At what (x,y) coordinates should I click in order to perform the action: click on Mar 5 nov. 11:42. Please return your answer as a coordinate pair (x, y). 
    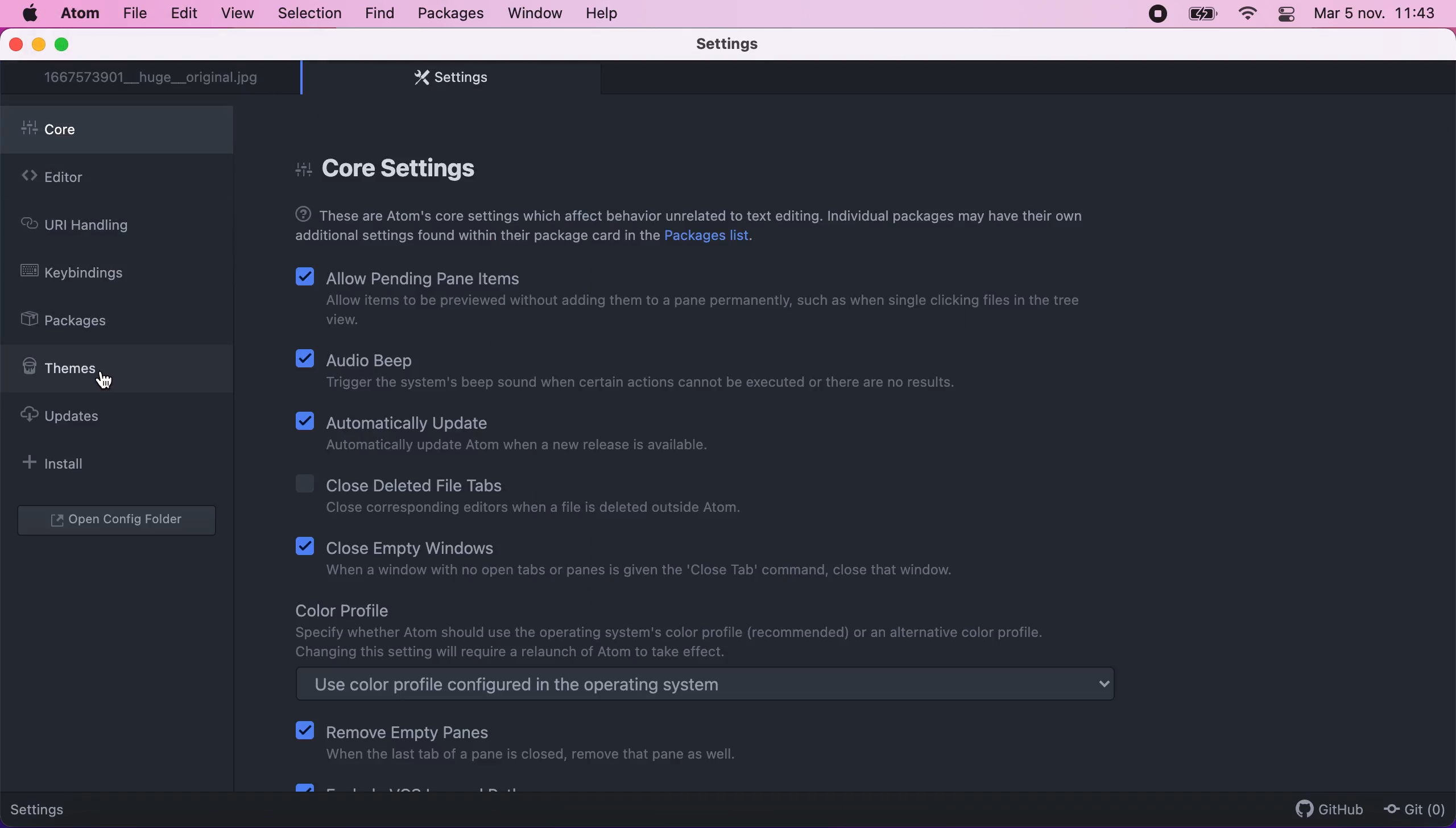
    Looking at the image, I should click on (1378, 16).